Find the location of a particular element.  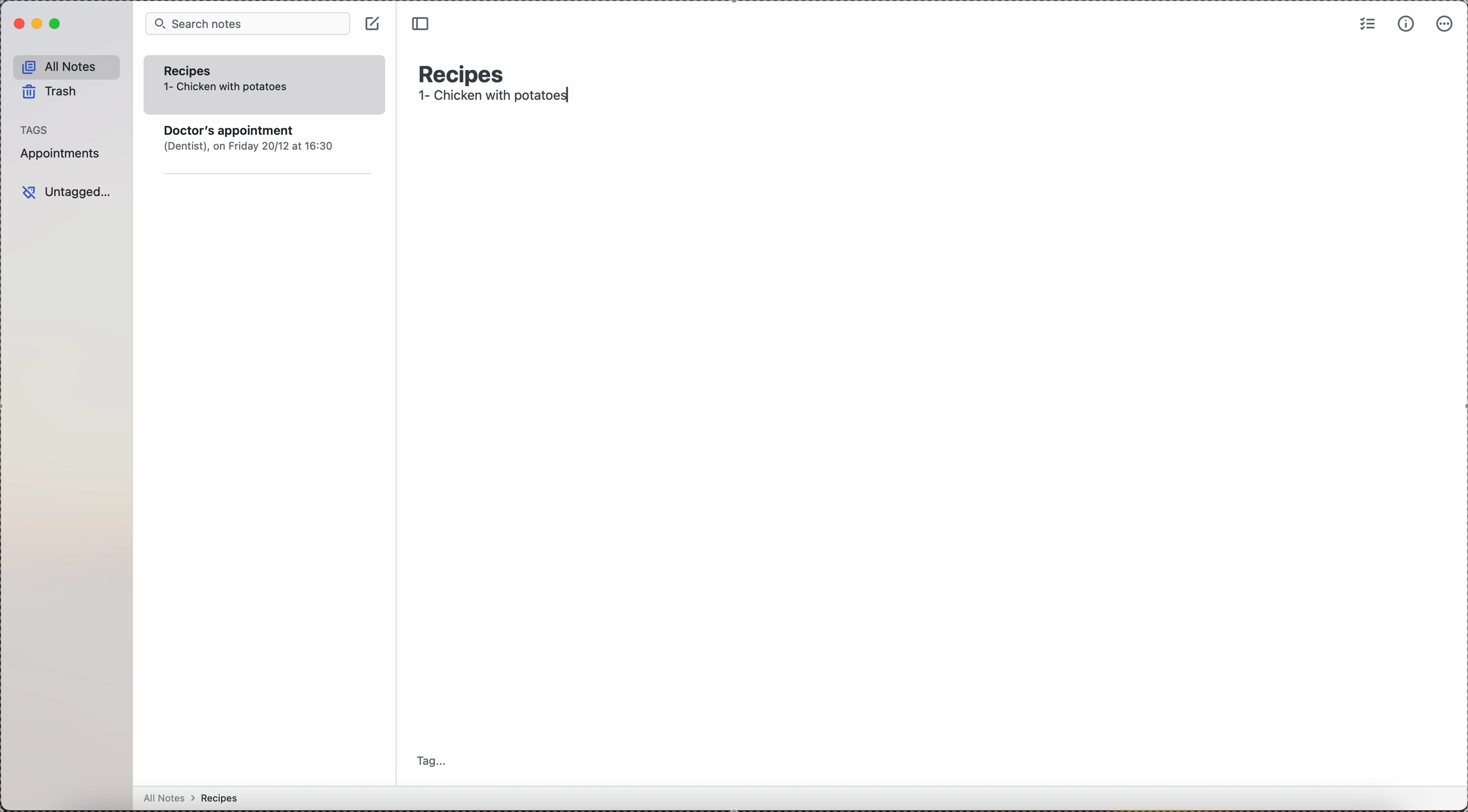

appointments tag is located at coordinates (63, 156).